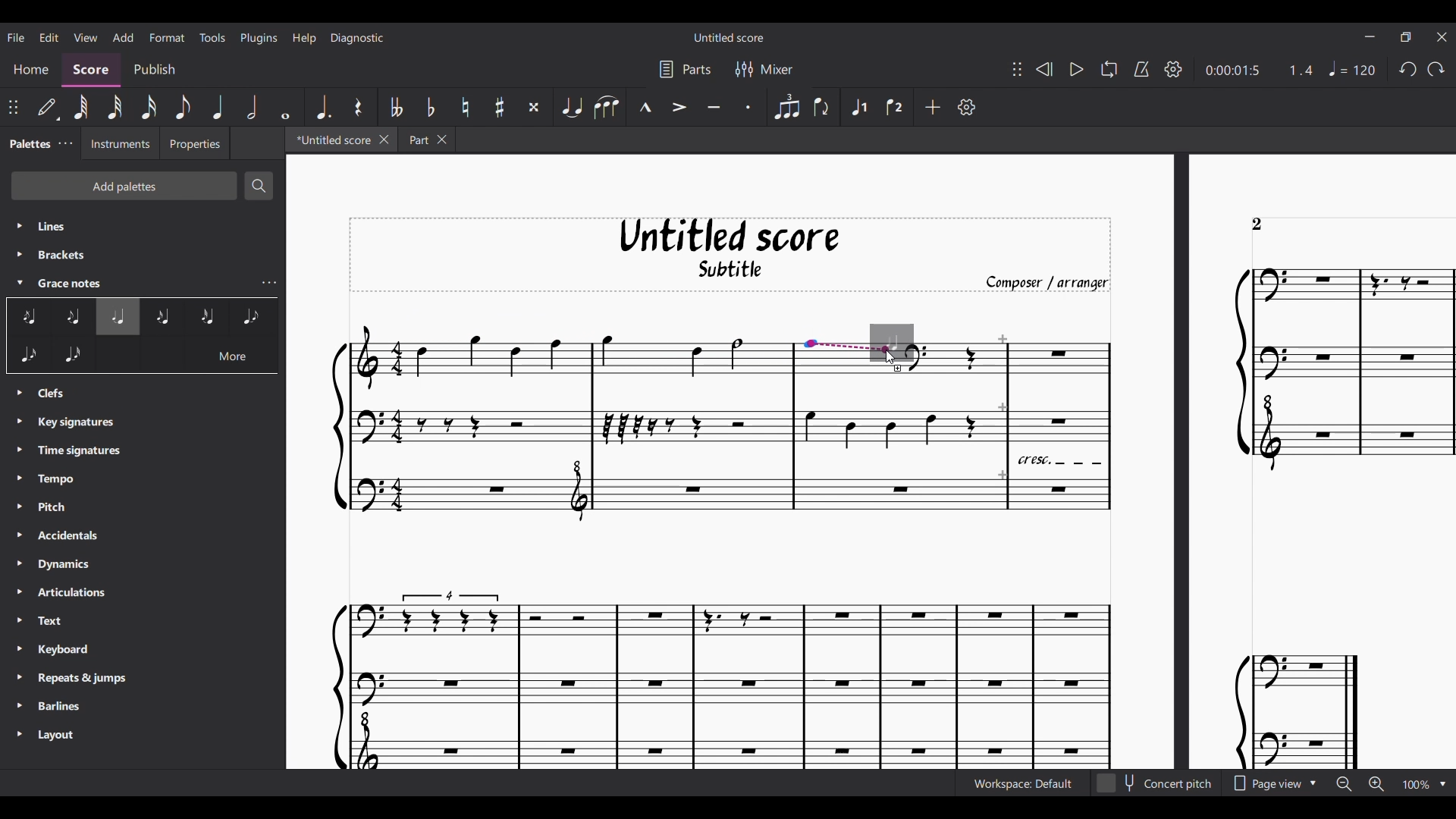 The width and height of the screenshot is (1456, 819). Describe the element at coordinates (305, 38) in the screenshot. I see `Help menu` at that location.